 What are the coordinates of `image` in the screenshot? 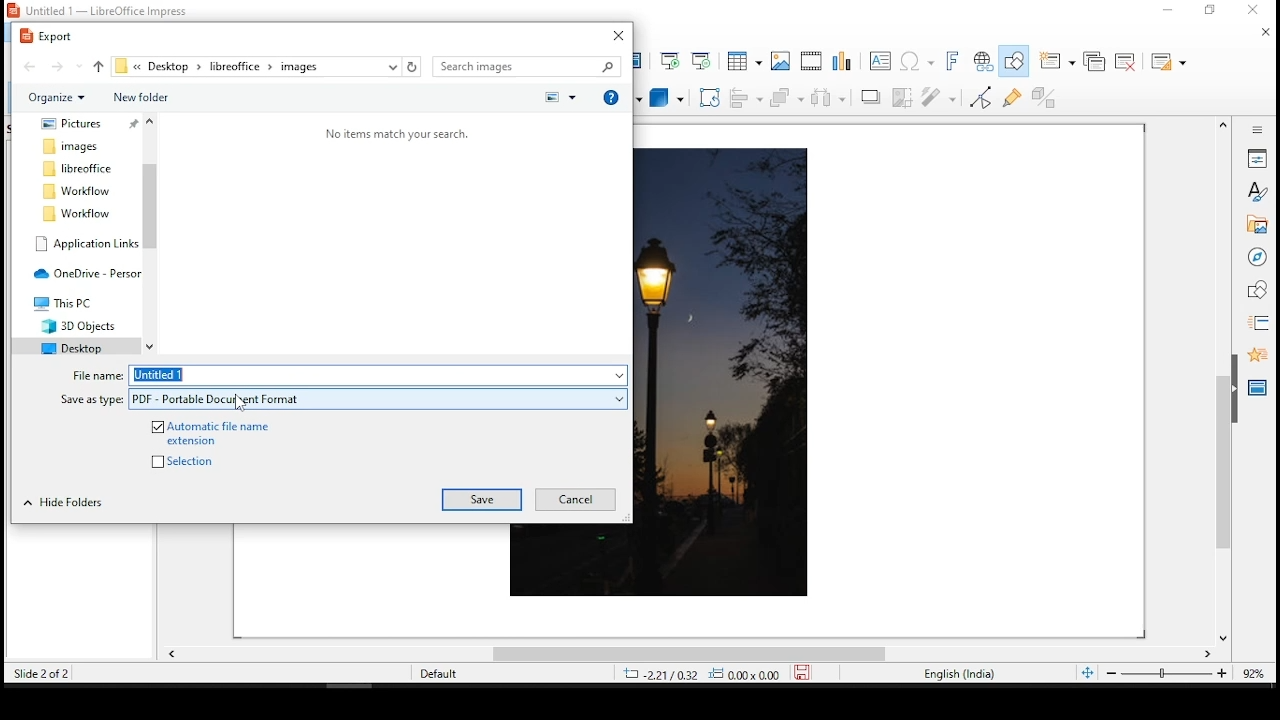 It's located at (728, 373).